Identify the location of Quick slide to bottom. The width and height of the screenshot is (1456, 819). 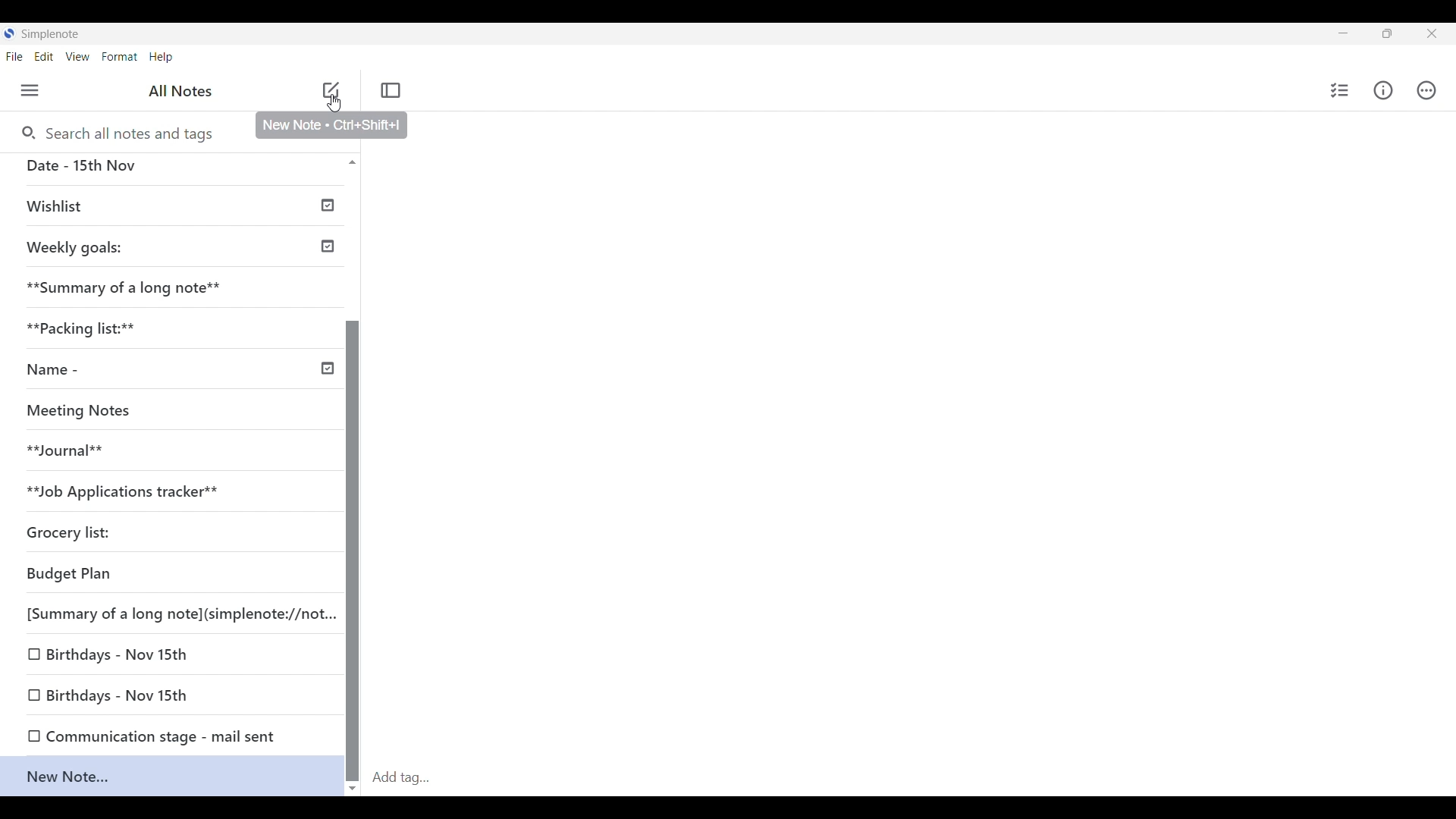
(352, 789).